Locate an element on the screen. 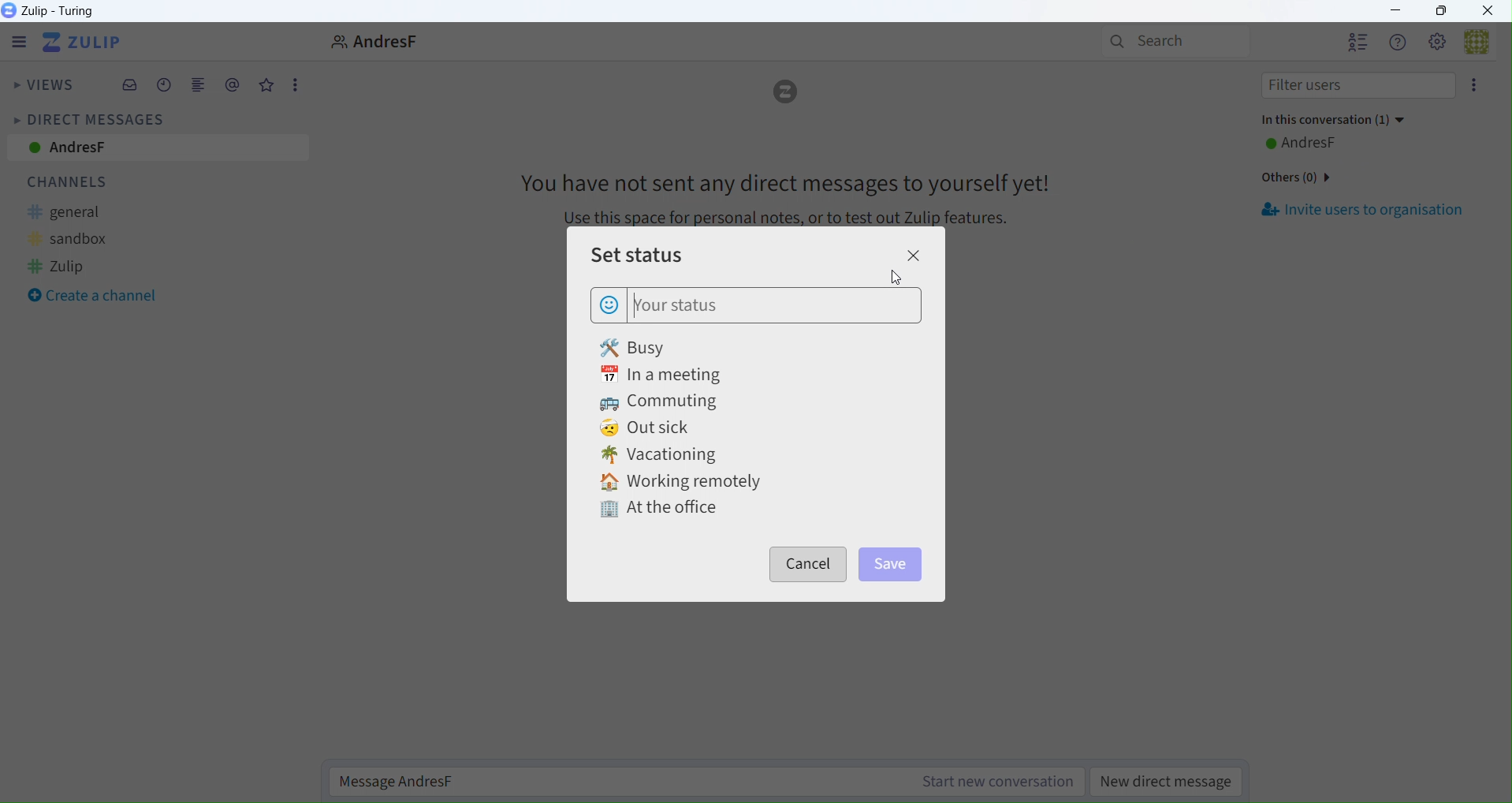 The width and height of the screenshot is (1512, 803). Direct Messages is located at coordinates (88, 118).